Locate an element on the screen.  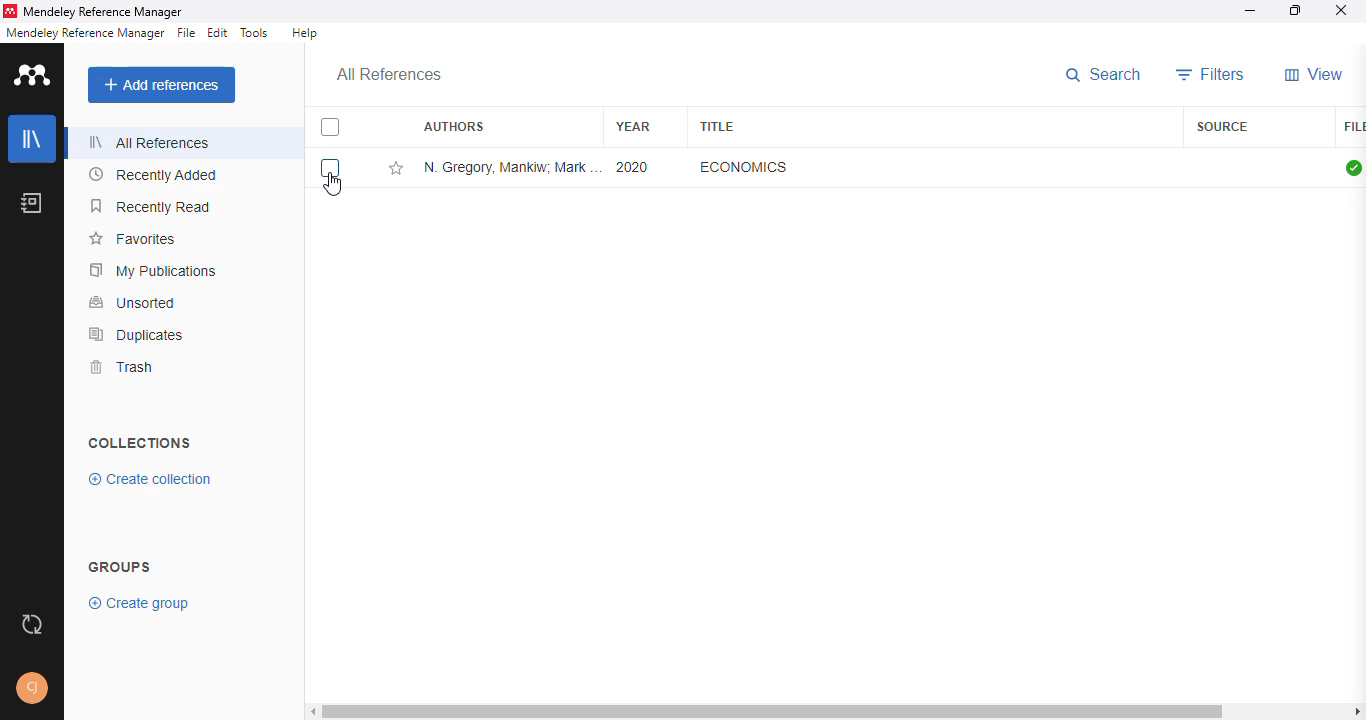
select is located at coordinates (330, 169).